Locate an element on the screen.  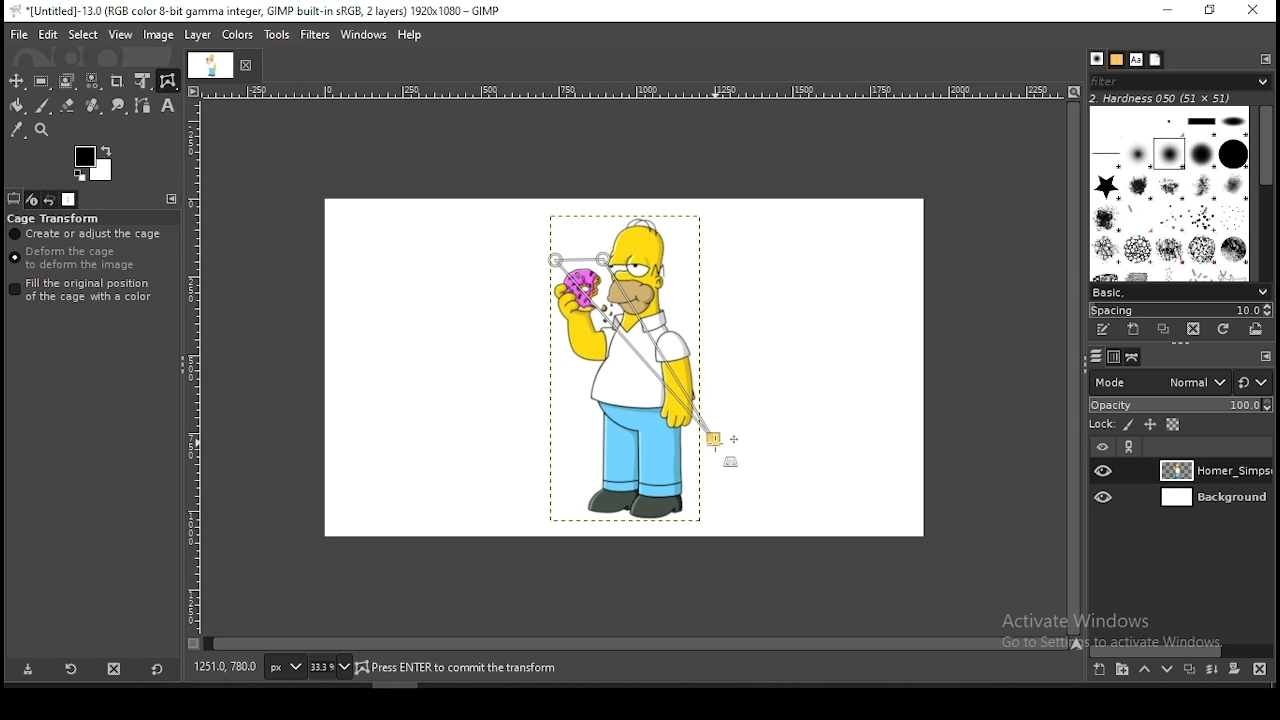
create a new layer group is located at coordinates (1123, 670).